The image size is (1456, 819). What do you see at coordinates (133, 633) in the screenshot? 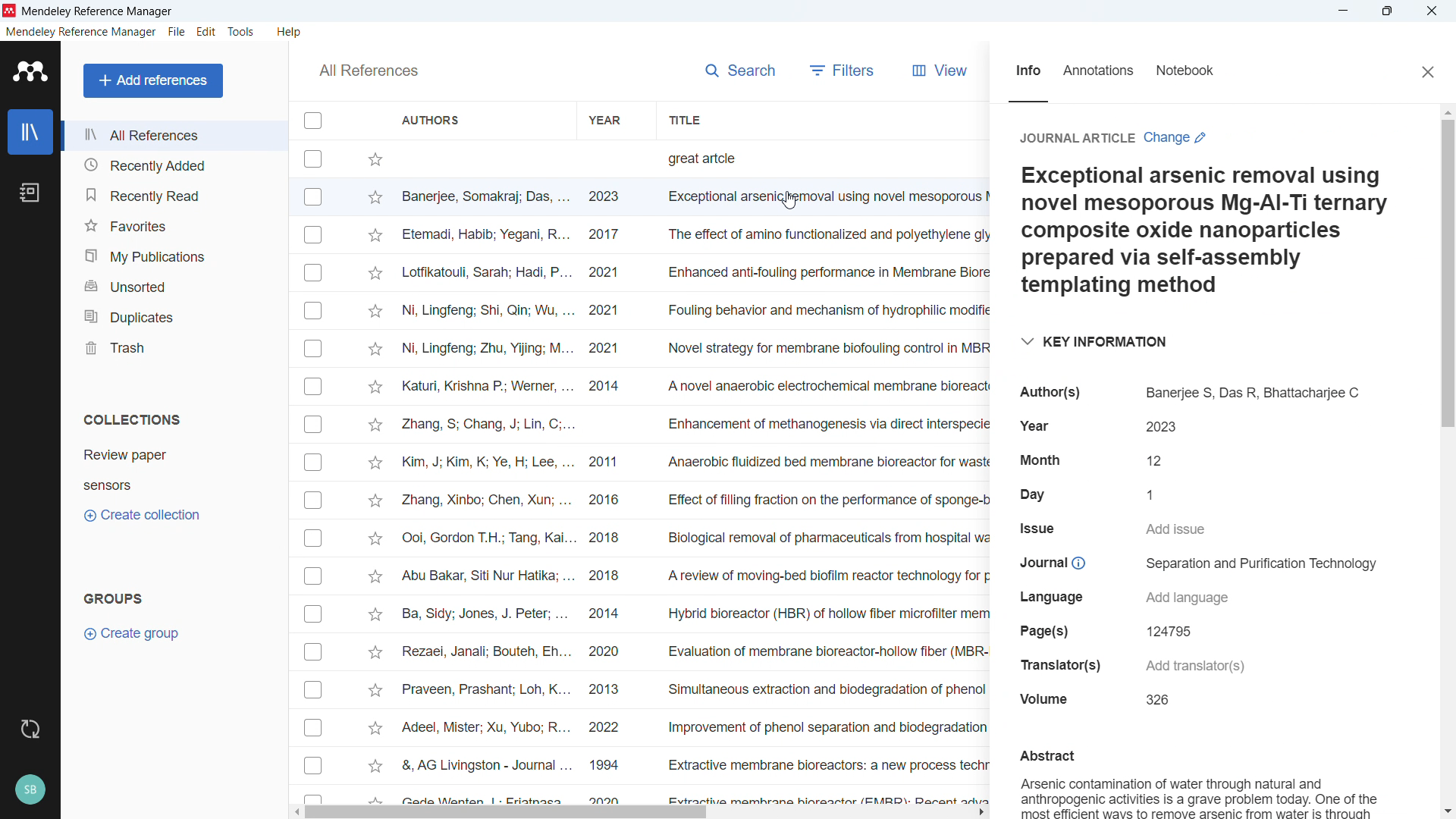
I see `Create group ` at bounding box center [133, 633].